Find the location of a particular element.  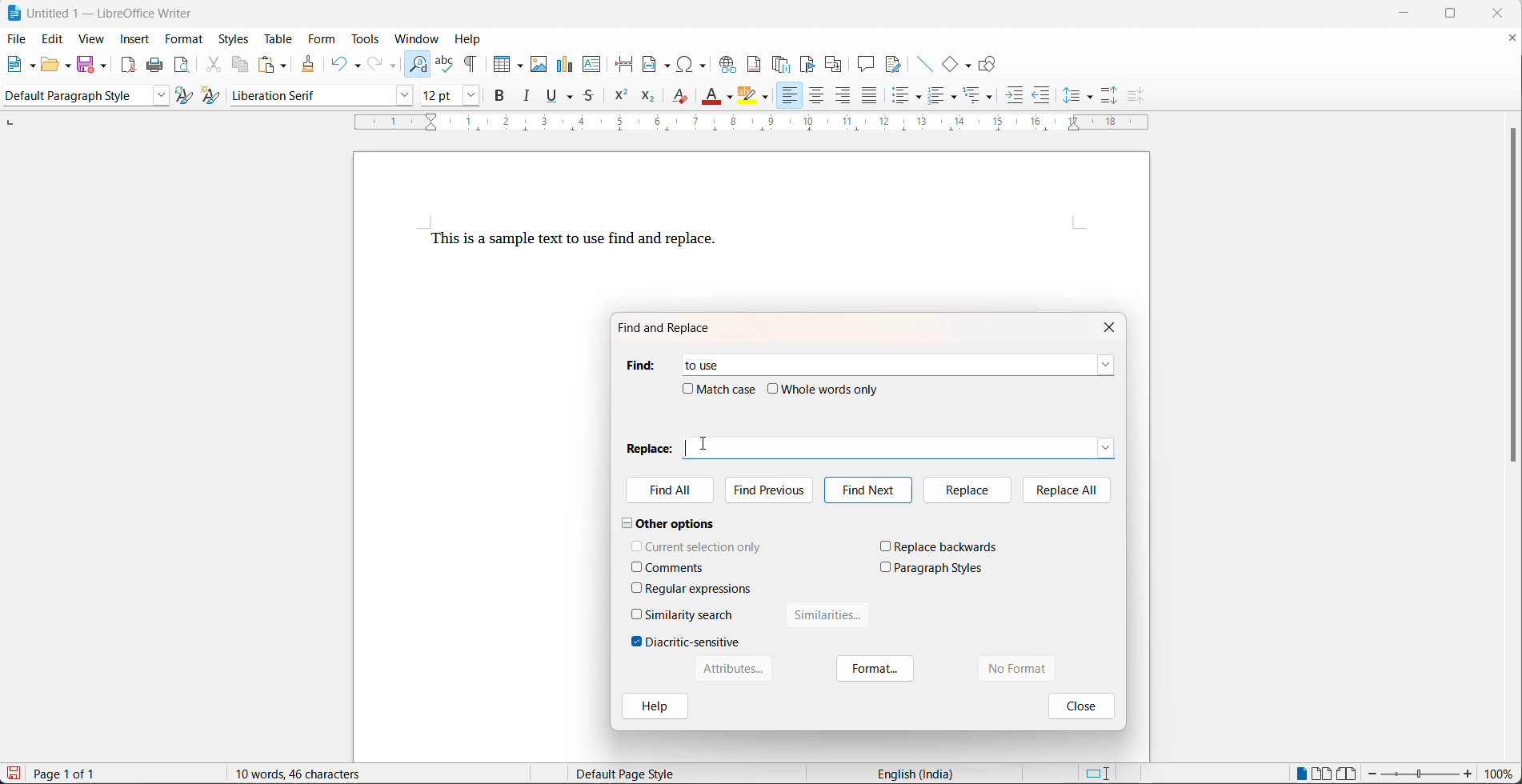

insert endnote is located at coordinates (783, 64).